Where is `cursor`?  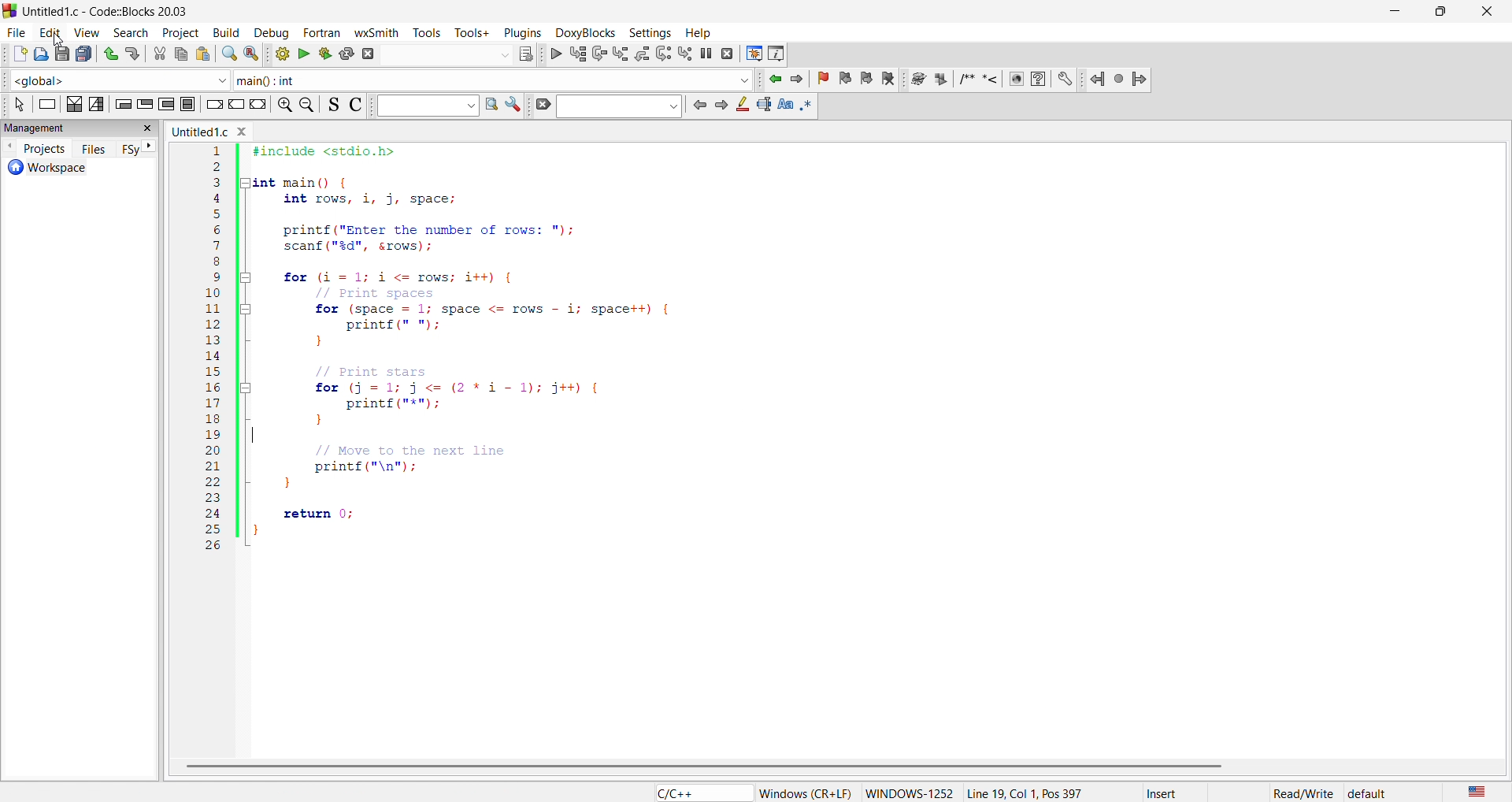 cursor is located at coordinates (60, 41).